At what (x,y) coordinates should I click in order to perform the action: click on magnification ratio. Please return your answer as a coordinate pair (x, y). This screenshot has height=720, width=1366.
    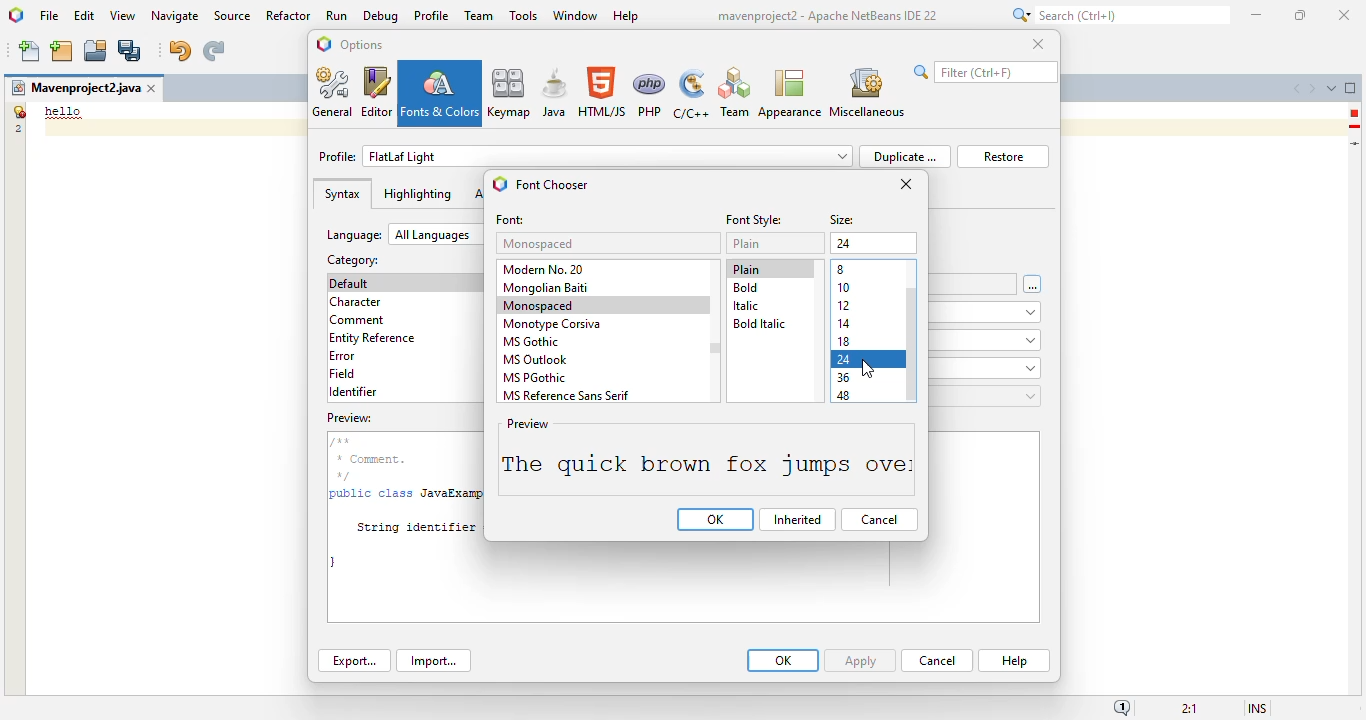
    Looking at the image, I should click on (1188, 707).